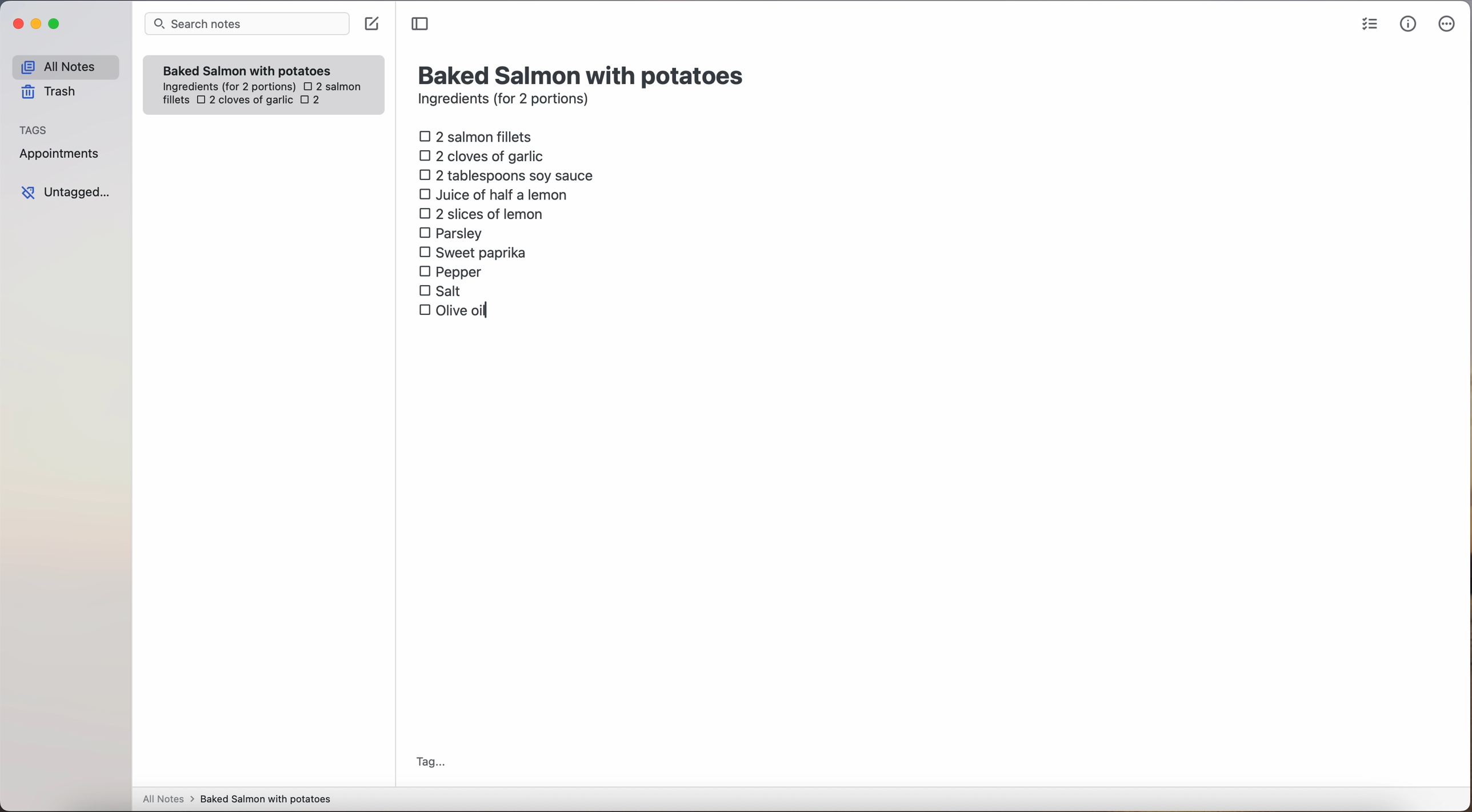  What do you see at coordinates (371, 24) in the screenshot?
I see `create note` at bounding box center [371, 24].